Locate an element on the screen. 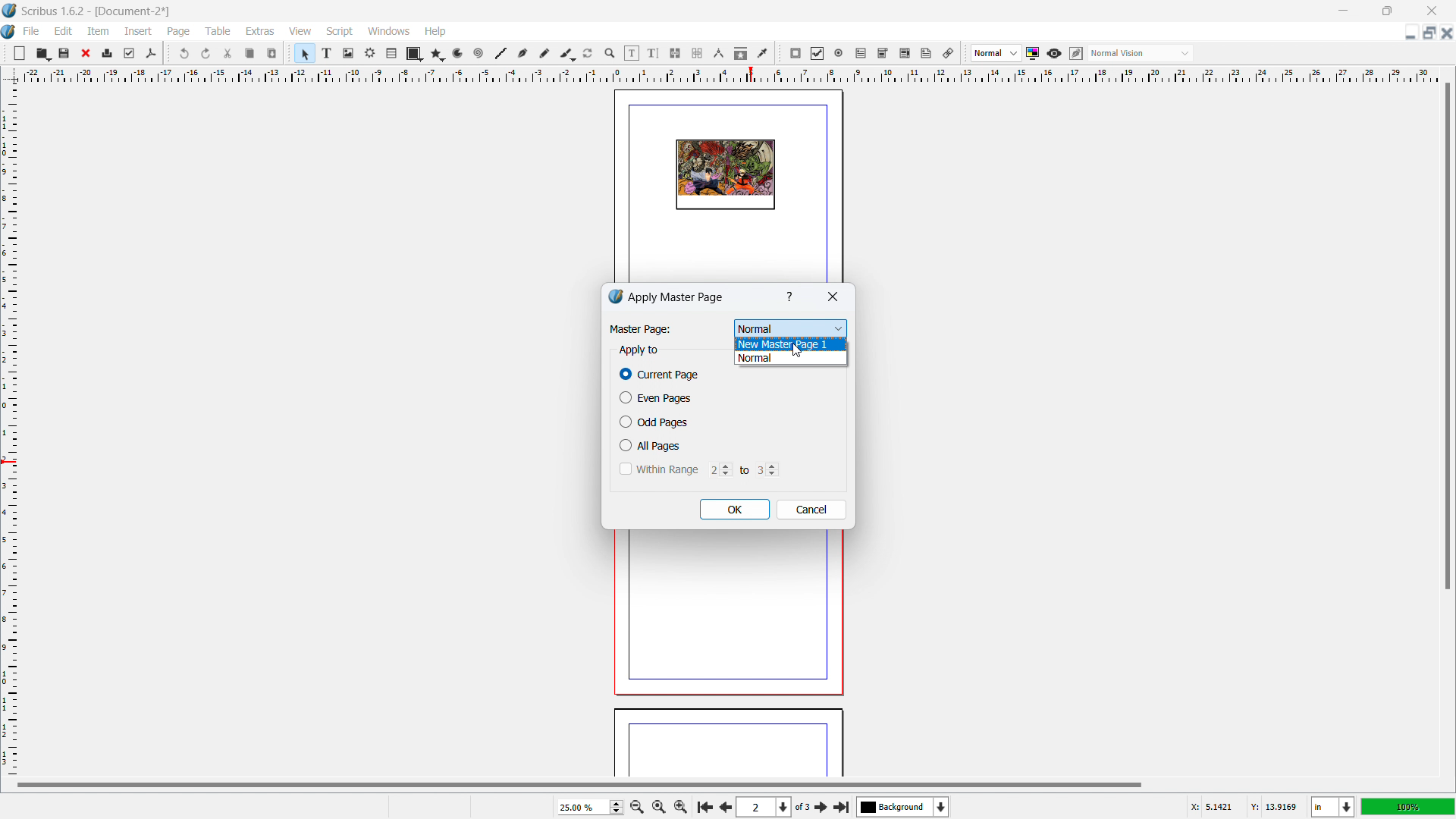 Image resolution: width=1456 pixels, height=819 pixels. select image preview quality is located at coordinates (996, 53).